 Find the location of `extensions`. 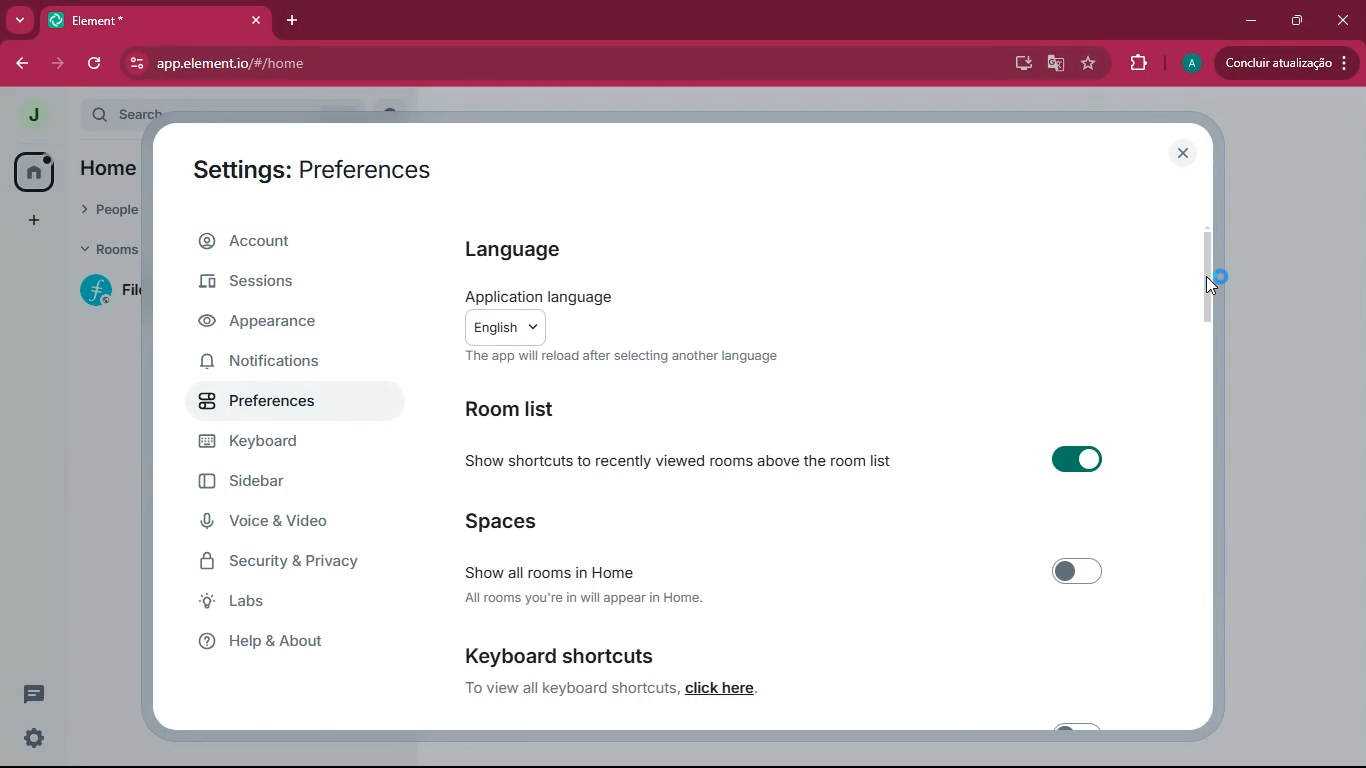

extensions is located at coordinates (1136, 65).